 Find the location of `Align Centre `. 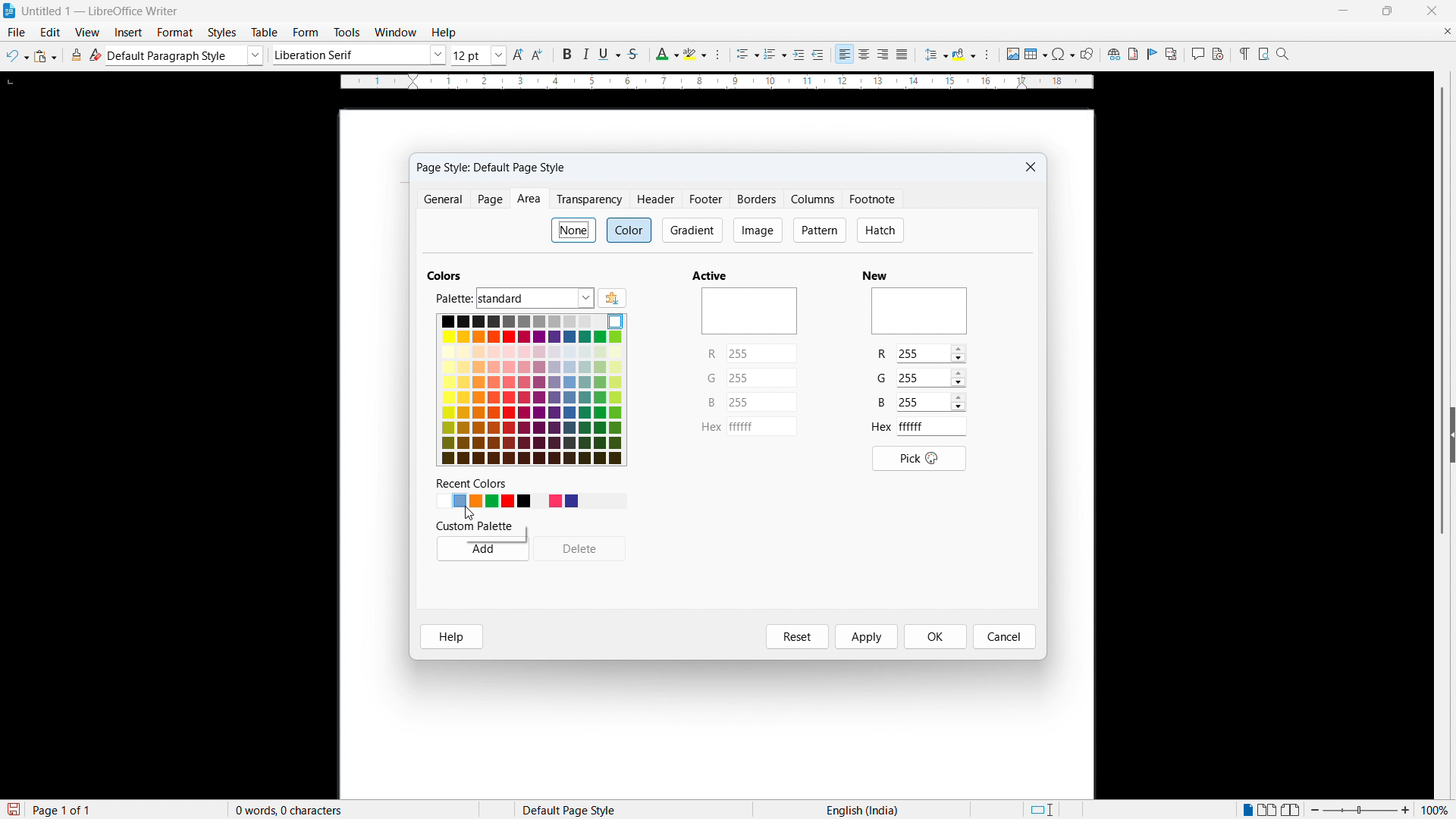

Align Centre  is located at coordinates (864, 55).